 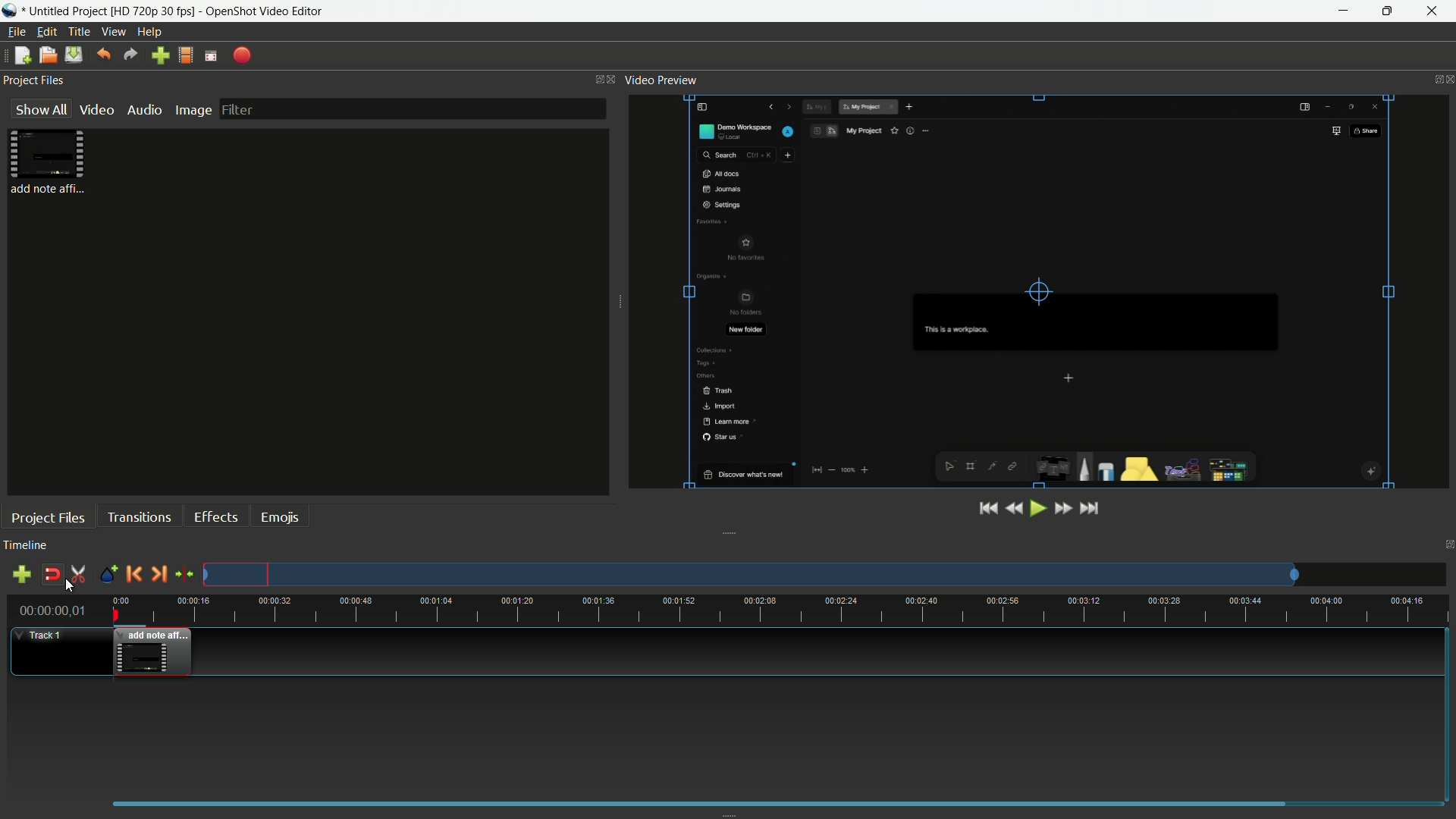 What do you see at coordinates (42, 635) in the screenshot?
I see `track1` at bounding box center [42, 635].